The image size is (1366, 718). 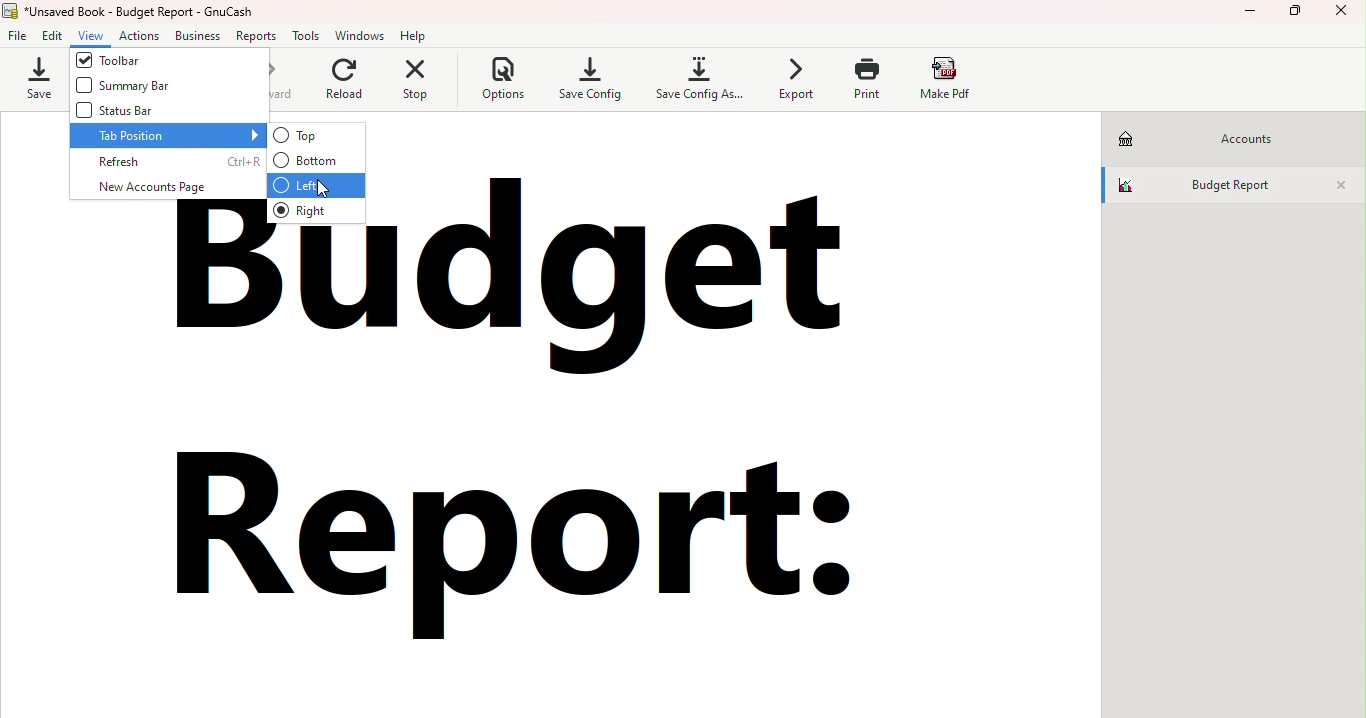 I want to click on Make pdf, so click(x=945, y=80).